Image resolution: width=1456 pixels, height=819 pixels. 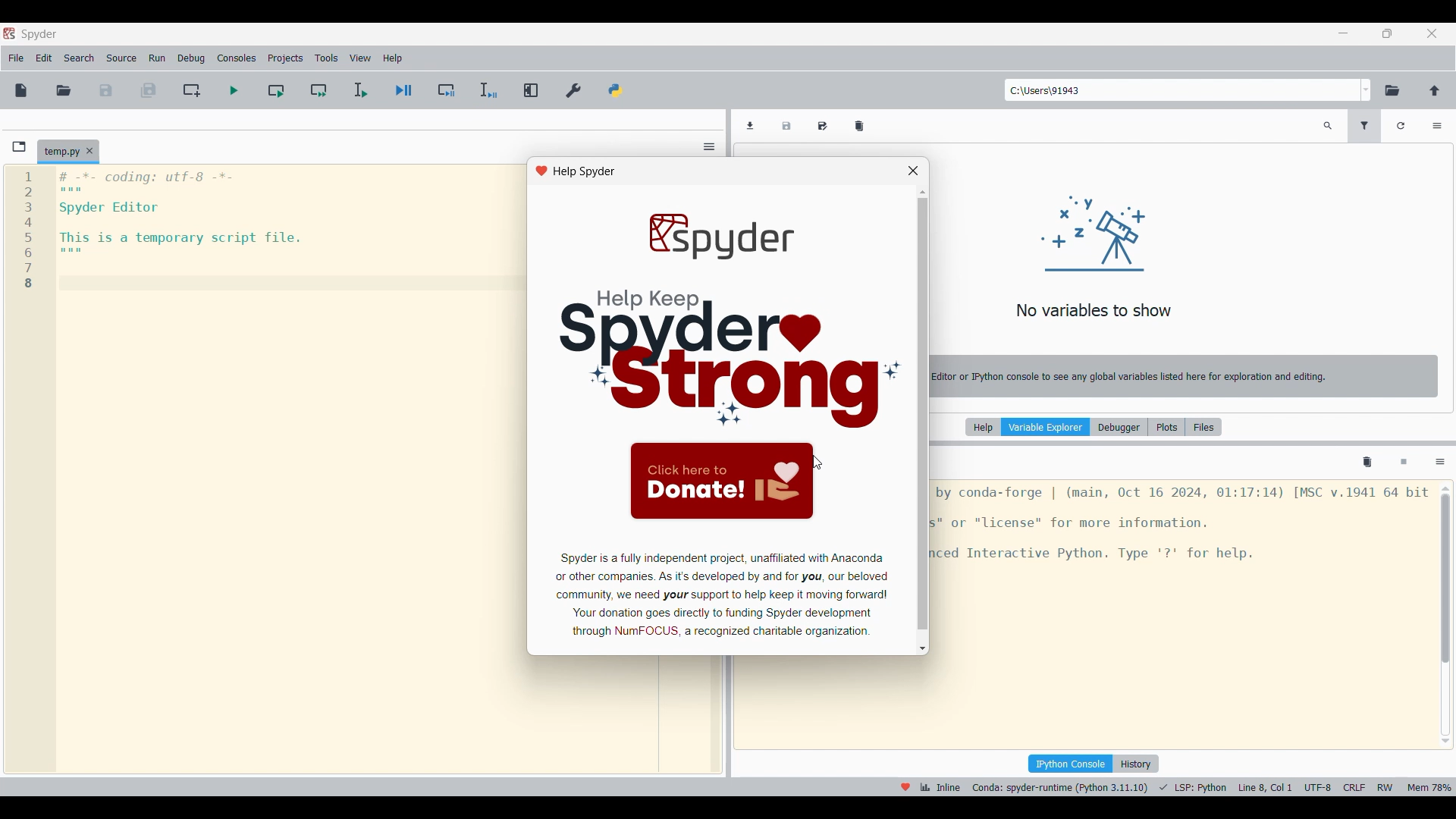 What do you see at coordinates (1068, 764) in the screenshot?
I see `IPython console` at bounding box center [1068, 764].